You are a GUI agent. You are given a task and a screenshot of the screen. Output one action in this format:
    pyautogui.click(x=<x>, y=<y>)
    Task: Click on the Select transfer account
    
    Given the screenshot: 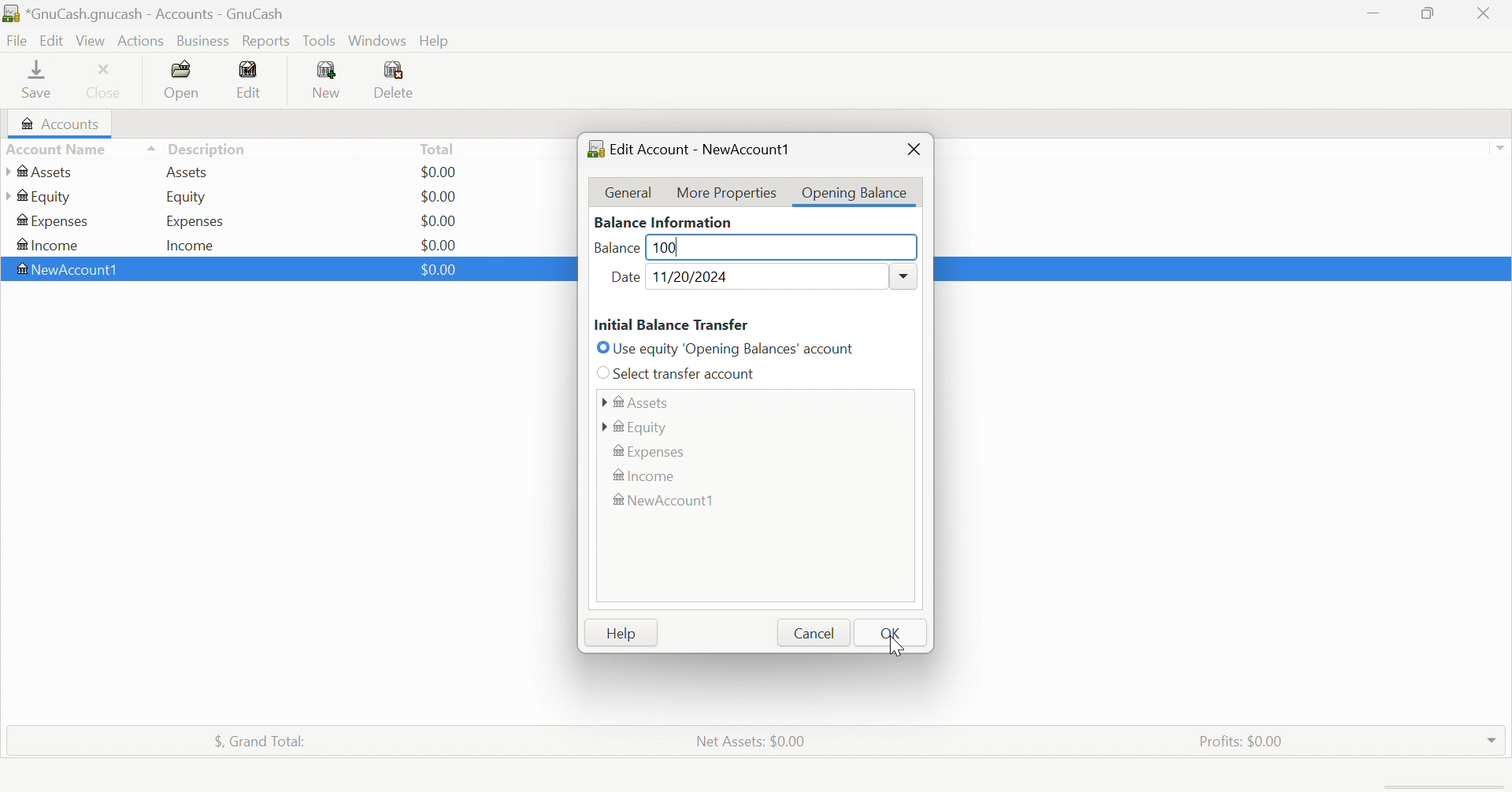 What is the action you would take?
    pyautogui.click(x=680, y=373)
    